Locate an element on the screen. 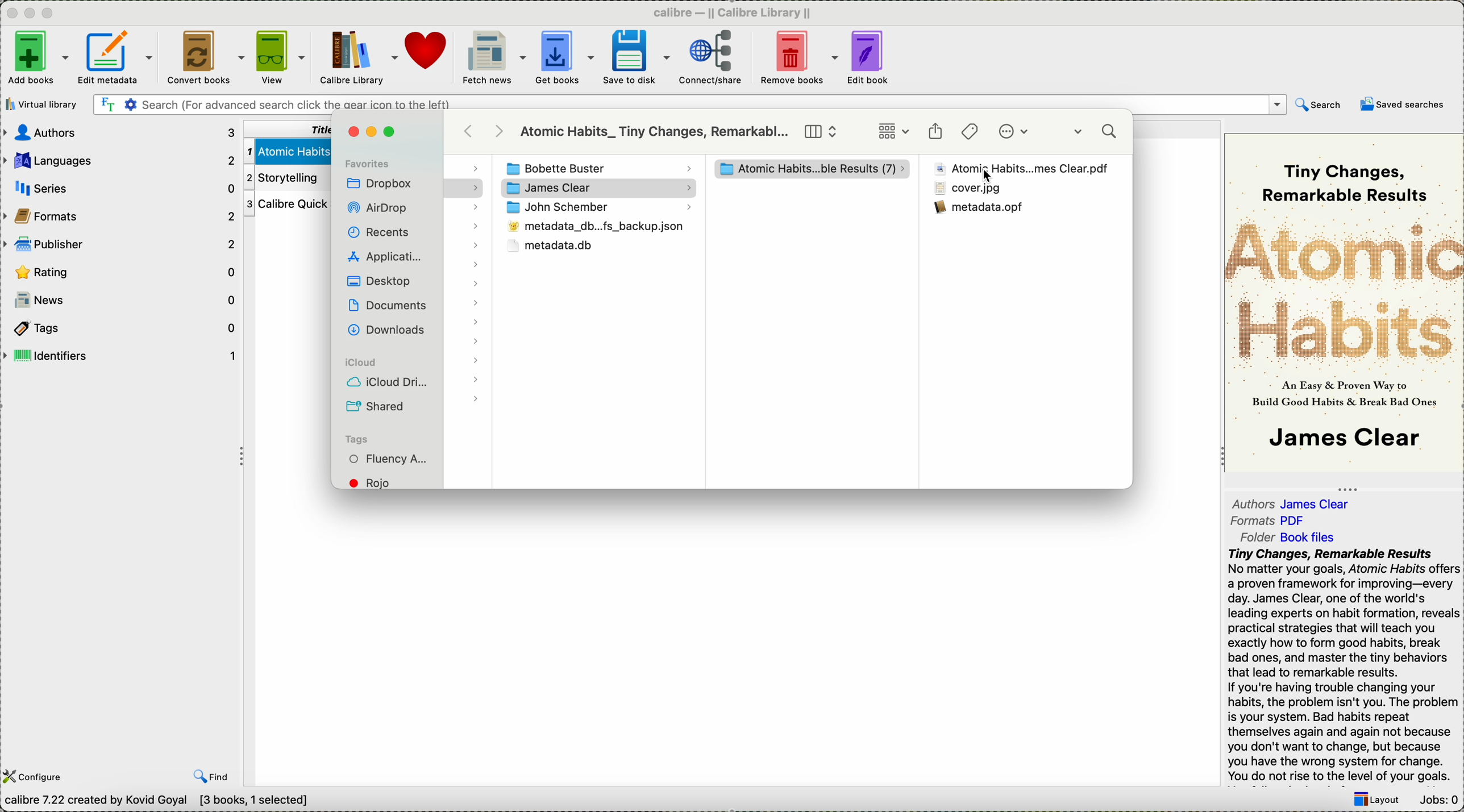  view is located at coordinates (281, 58).